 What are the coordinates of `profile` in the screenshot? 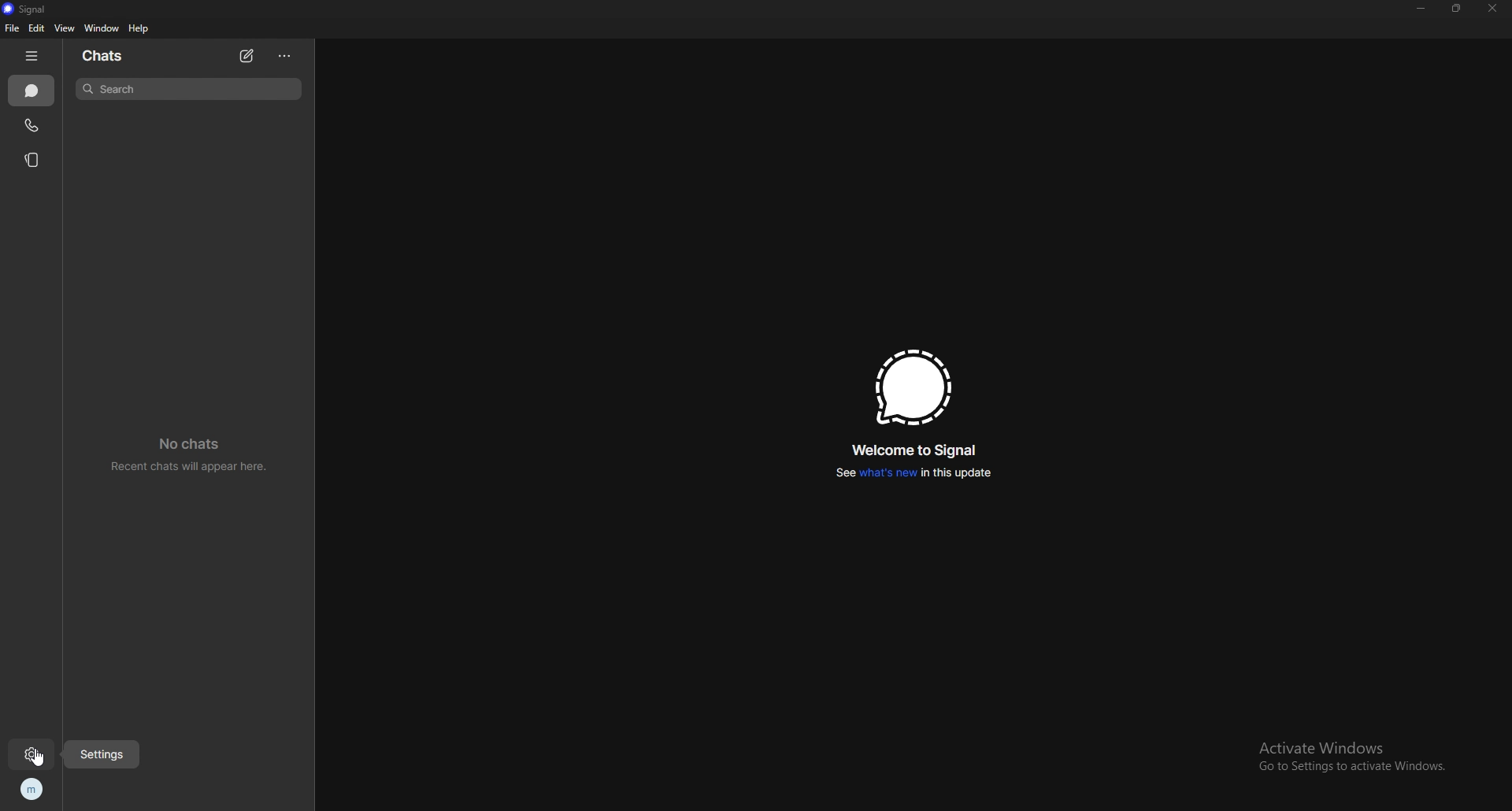 It's located at (30, 791).